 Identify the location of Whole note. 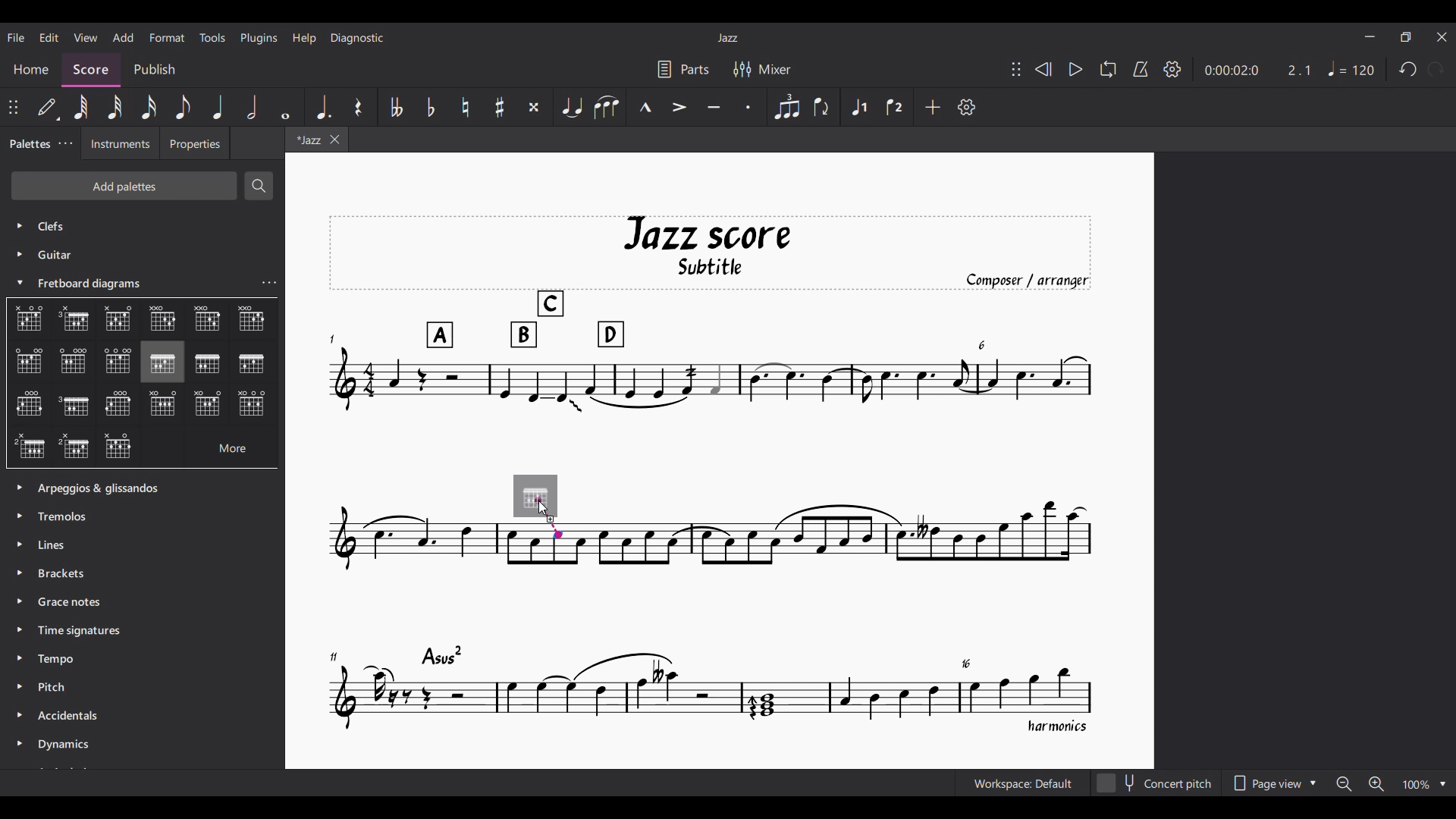
(288, 108).